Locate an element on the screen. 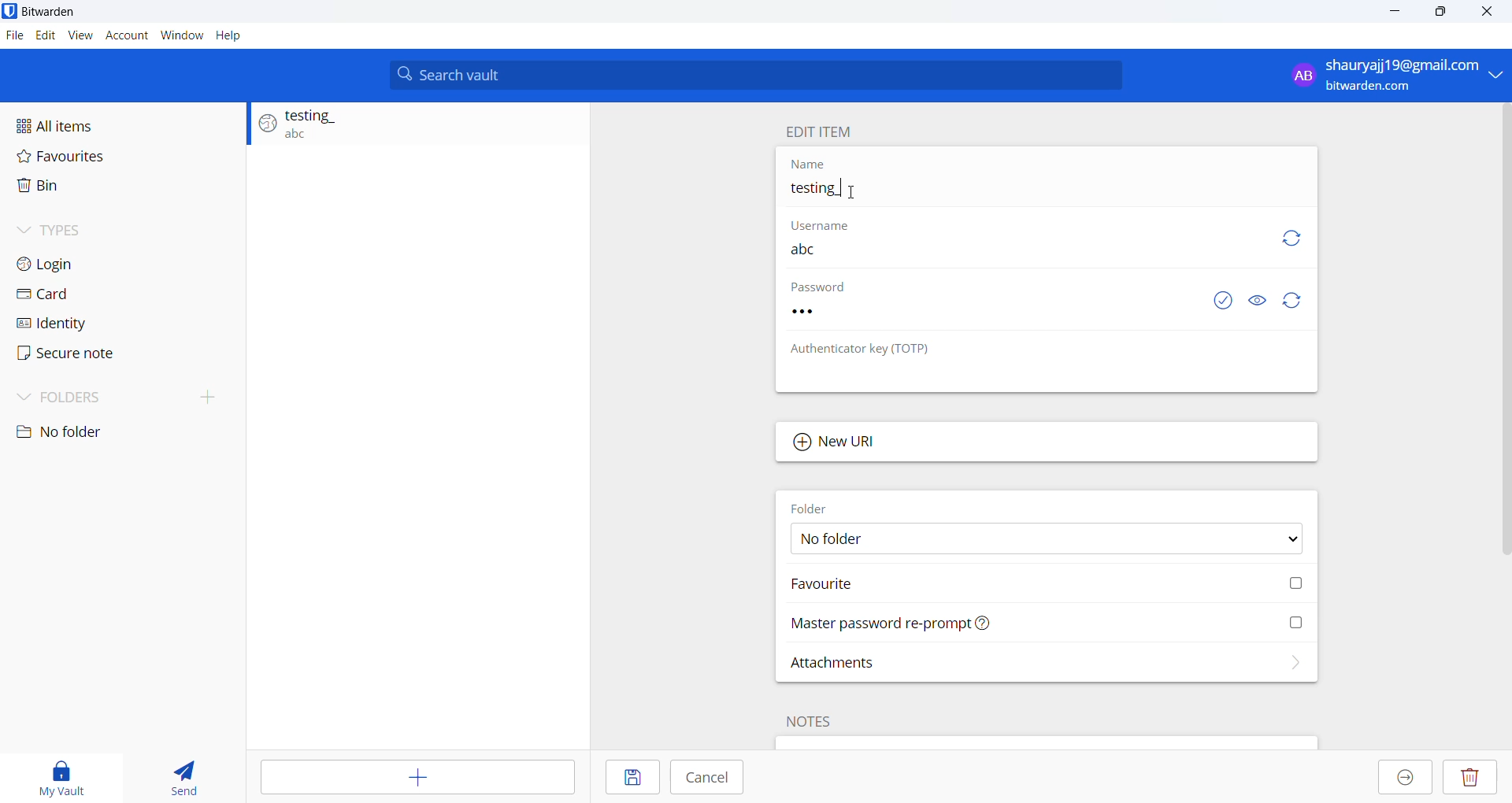 The width and height of the screenshot is (1512, 803). Login entry is located at coordinates (410, 128).